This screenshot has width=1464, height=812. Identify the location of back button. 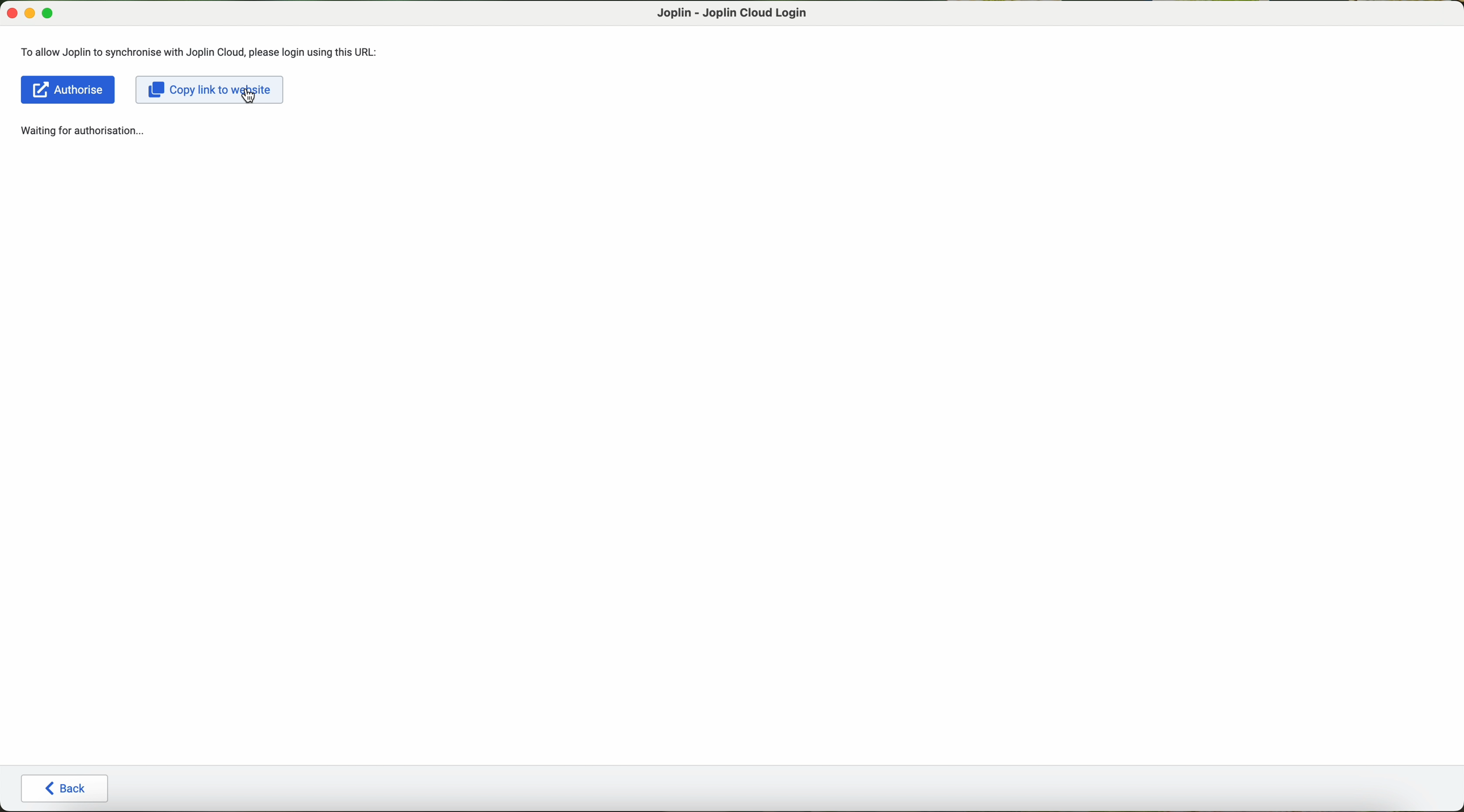
(63, 789).